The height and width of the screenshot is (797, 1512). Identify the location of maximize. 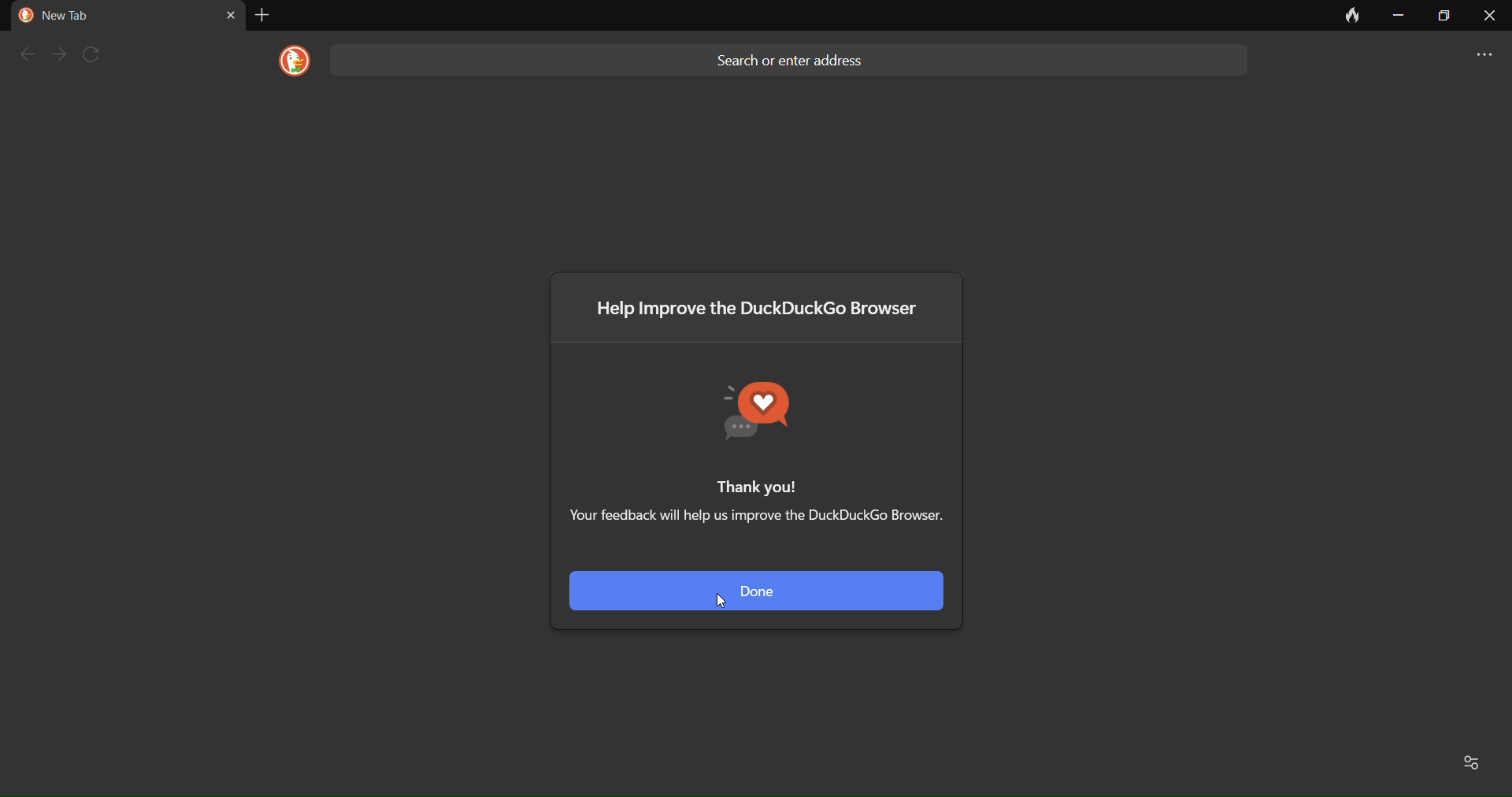
(1441, 16).